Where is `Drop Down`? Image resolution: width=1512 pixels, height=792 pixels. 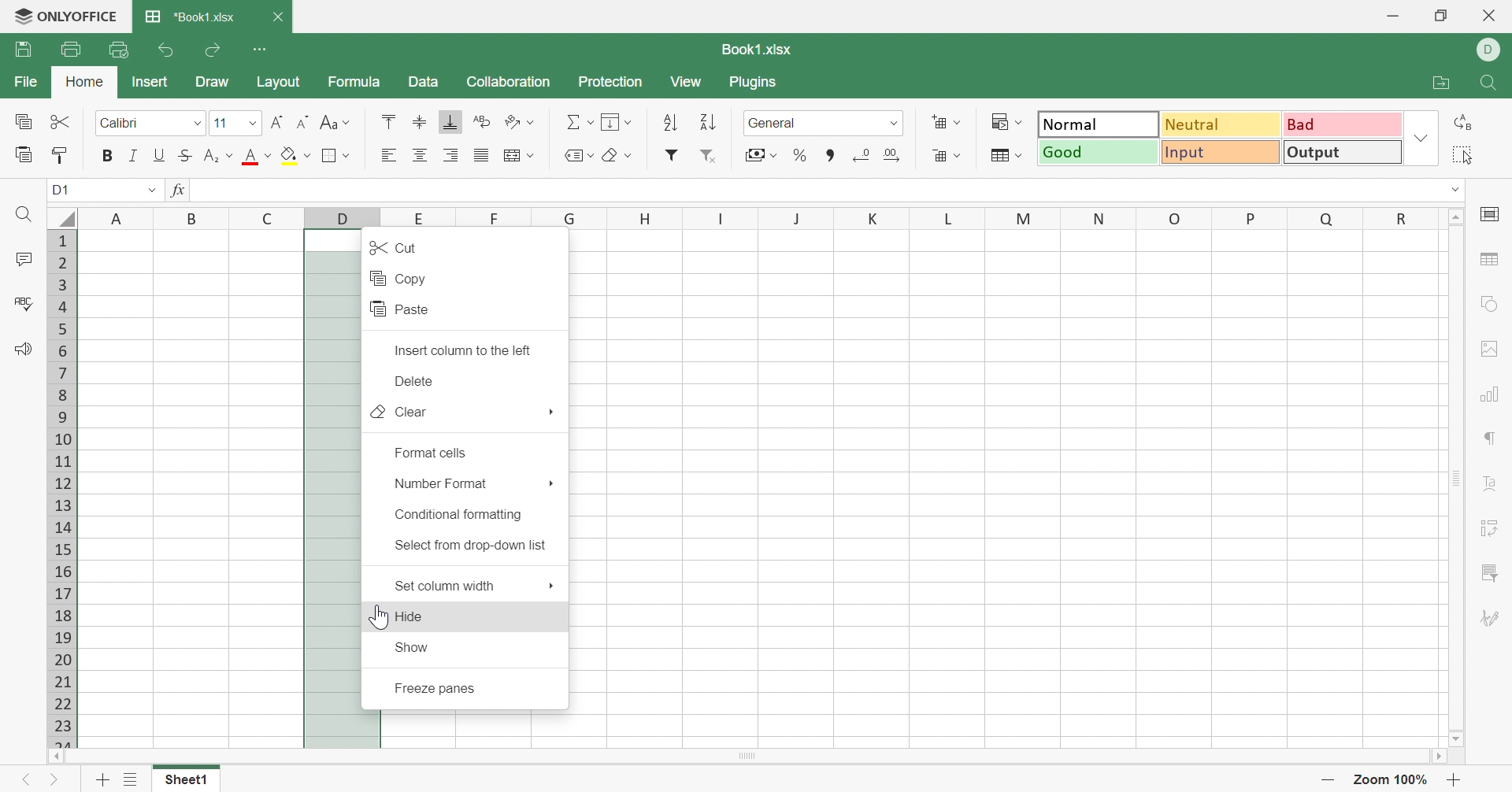
Drop Down is located at coordinates (230, 154).